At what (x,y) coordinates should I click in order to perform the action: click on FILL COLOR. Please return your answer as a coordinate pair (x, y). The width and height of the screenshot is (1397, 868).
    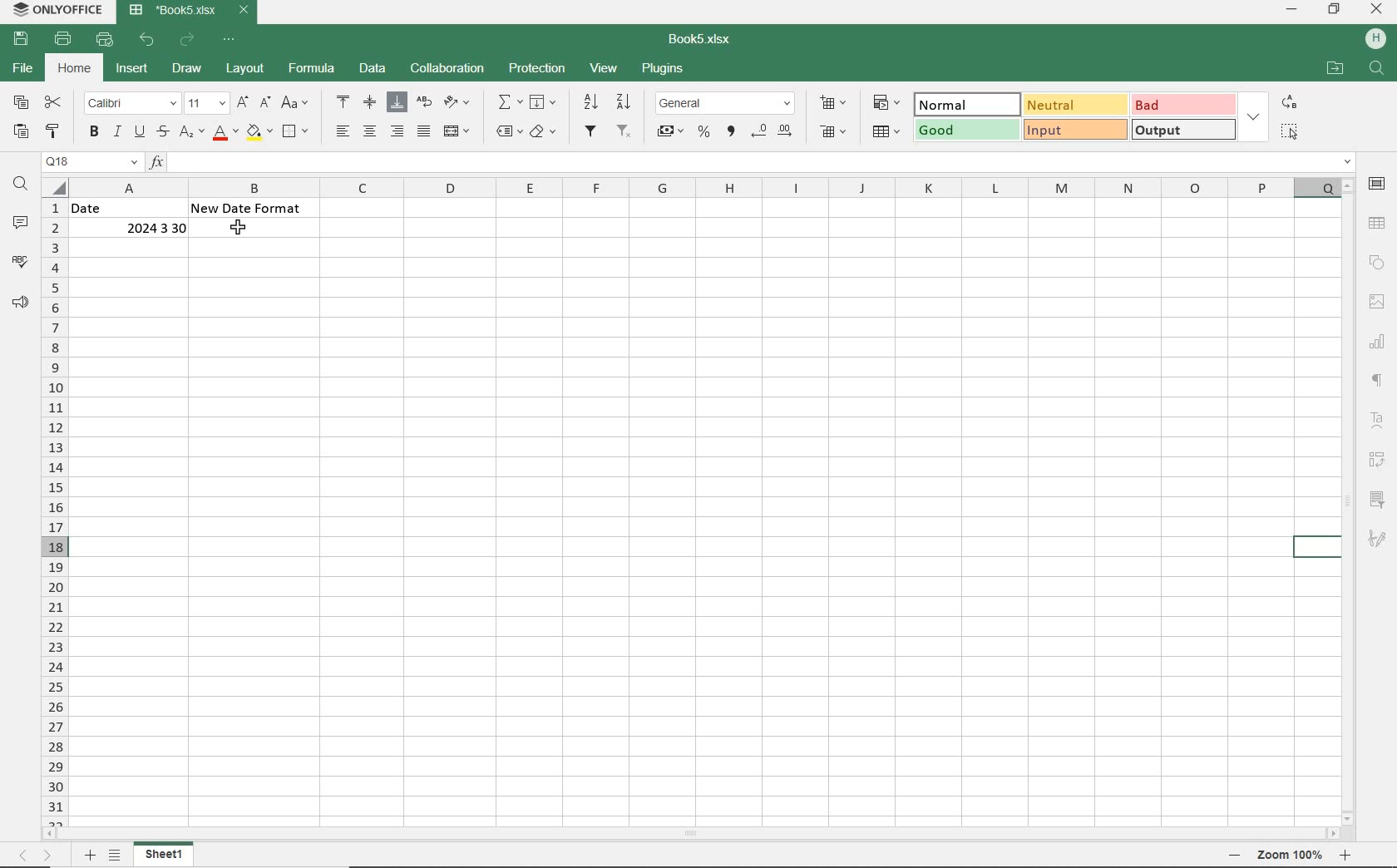
    Looking at the image, I should click on (259, 133).